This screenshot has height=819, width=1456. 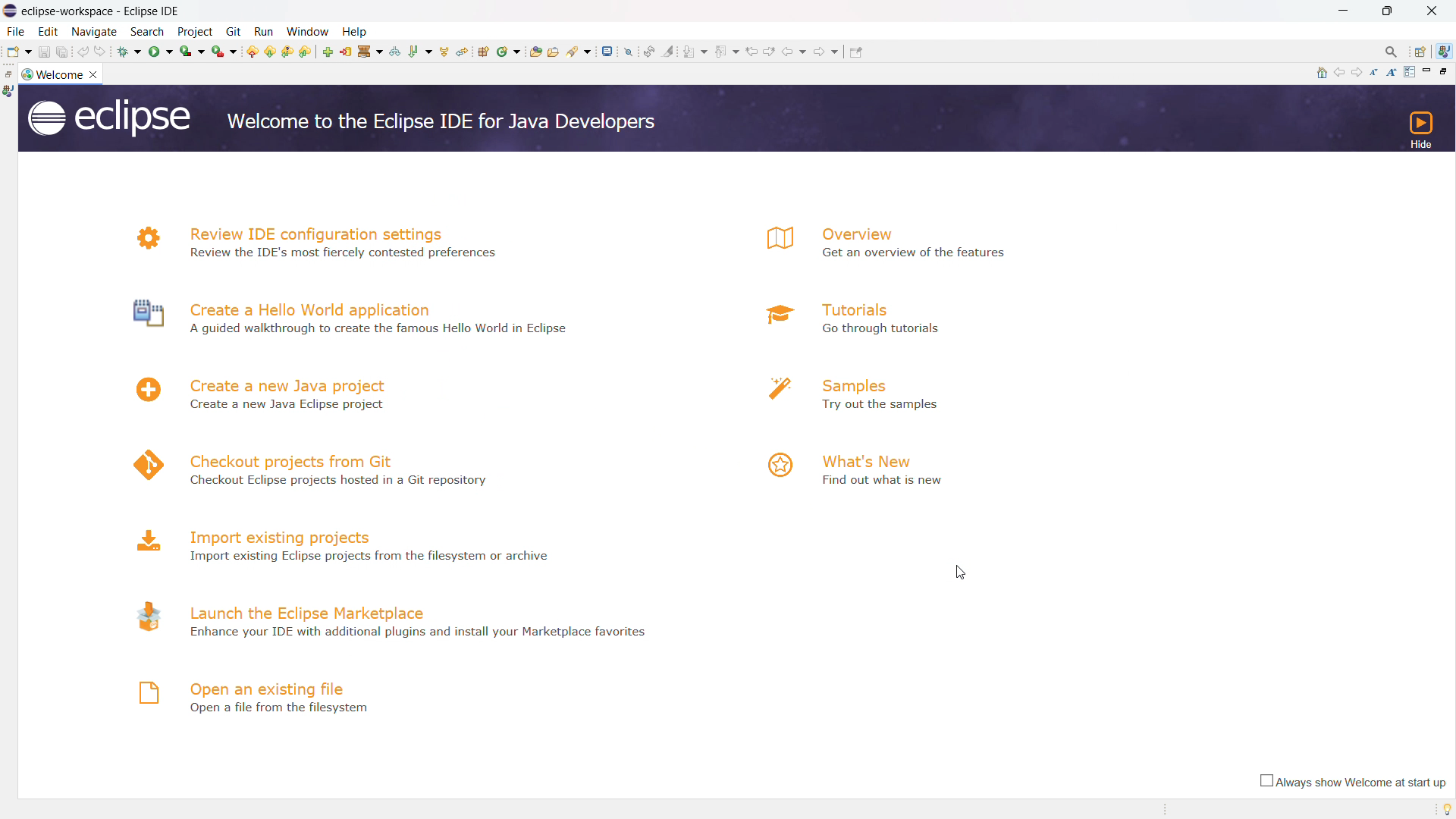 What do you see at coordinates (775, 390) in the screenshot?
I see `logo` at bounding box center [775, 390].